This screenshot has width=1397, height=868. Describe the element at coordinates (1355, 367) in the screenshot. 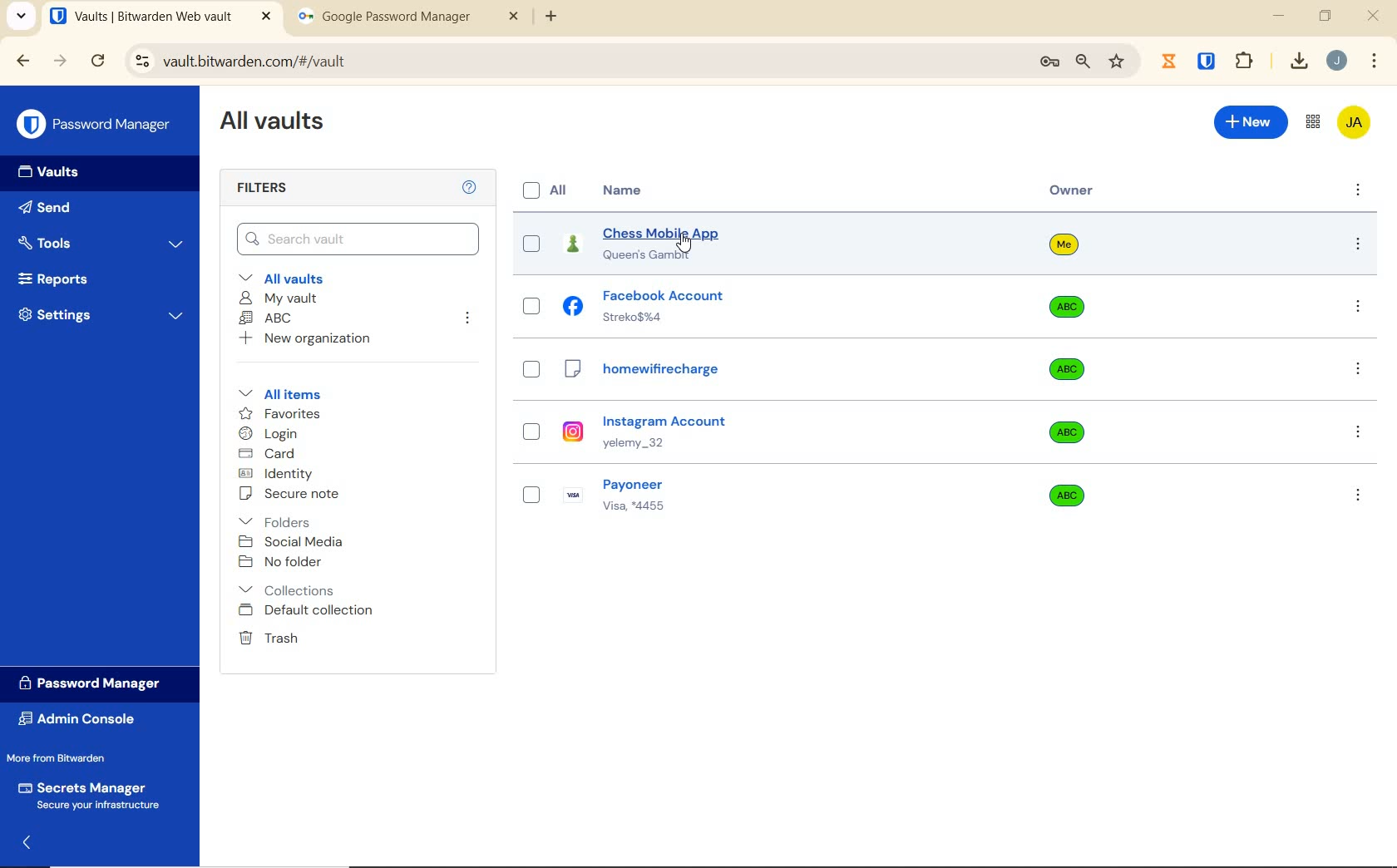

I see `more options` at that location.